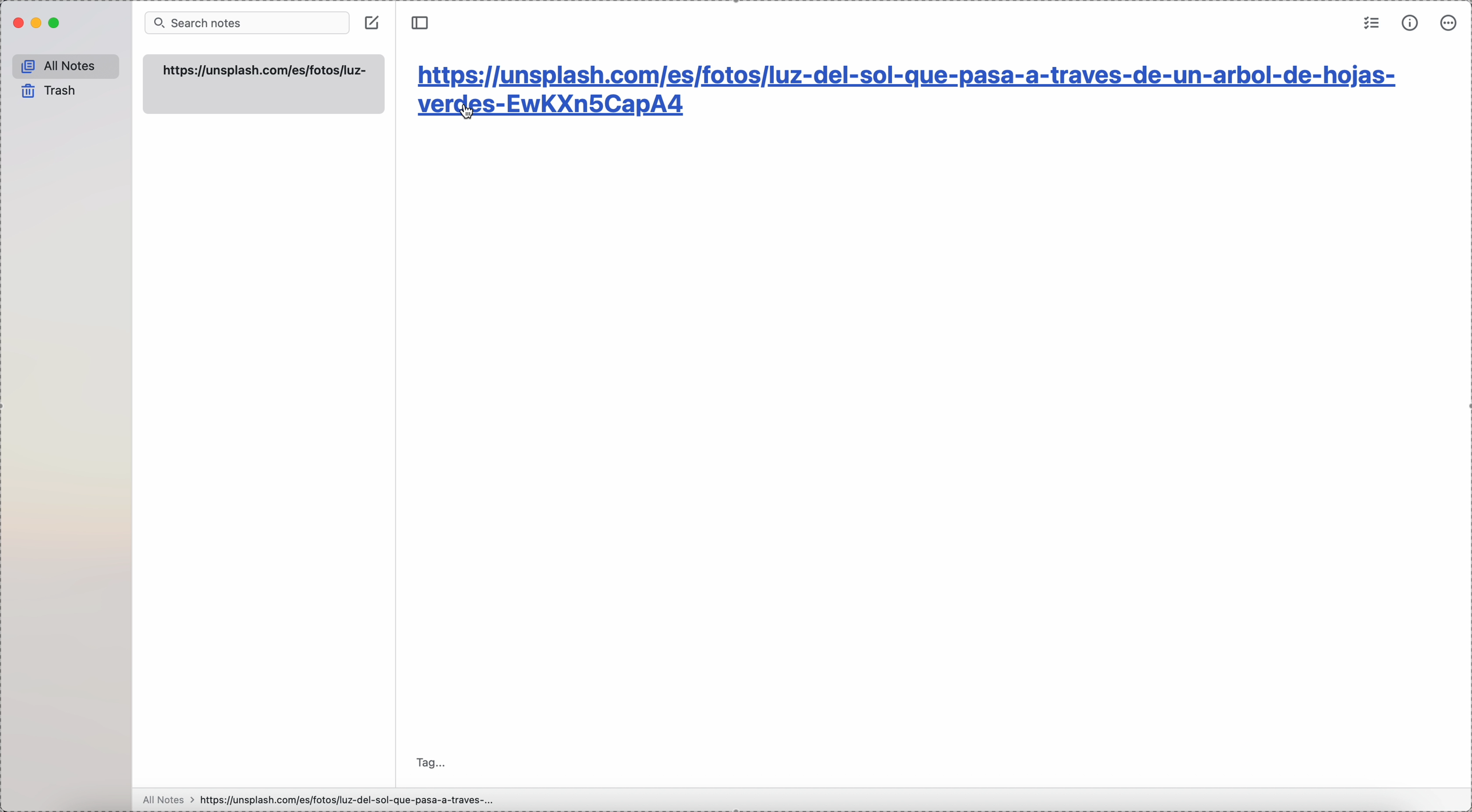 Image resolution: width=1472 pixels, height=812 pixels. Describe the element at coordinates (266, 71) in the screenshot. I see `url` at that location.